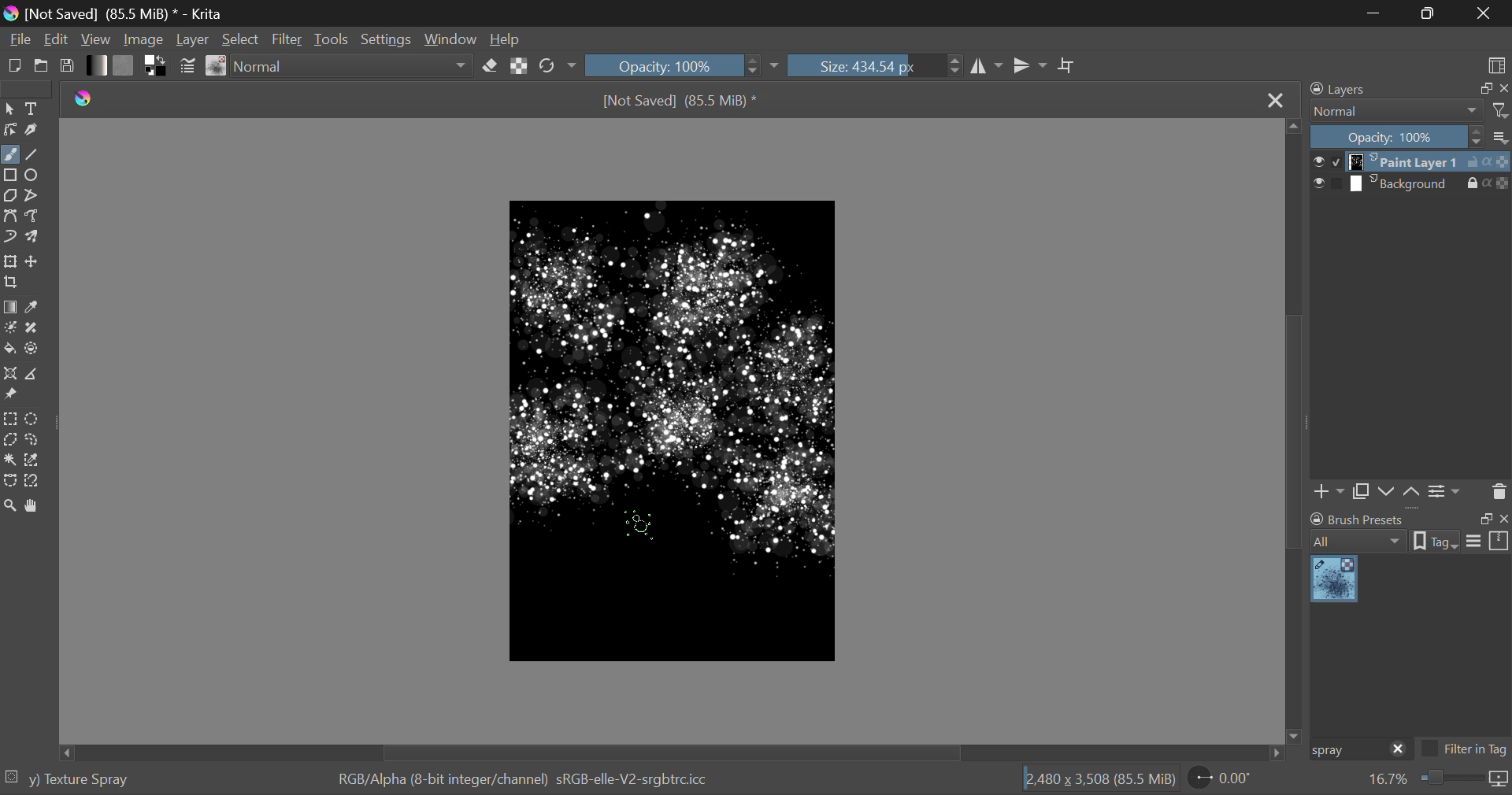 The height and width of the screenshot is (795, 1512). Describe the element at coordinates (984, 66) in the screenshot. I see `Vertical Mirror Flip` at that location.